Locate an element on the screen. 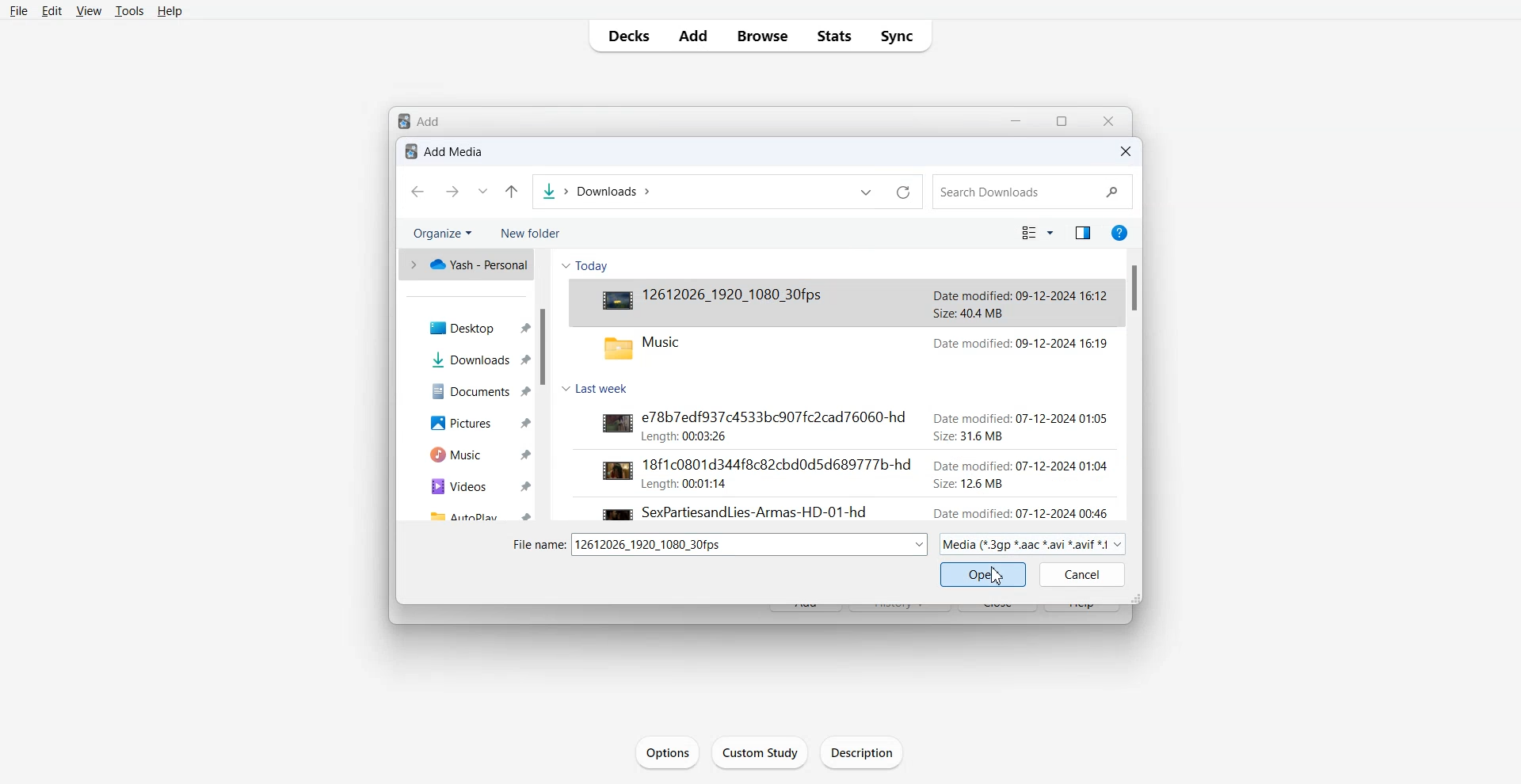 The width and height of the screenshot is (1521, 784). Music is located at coordinates (473, 457).